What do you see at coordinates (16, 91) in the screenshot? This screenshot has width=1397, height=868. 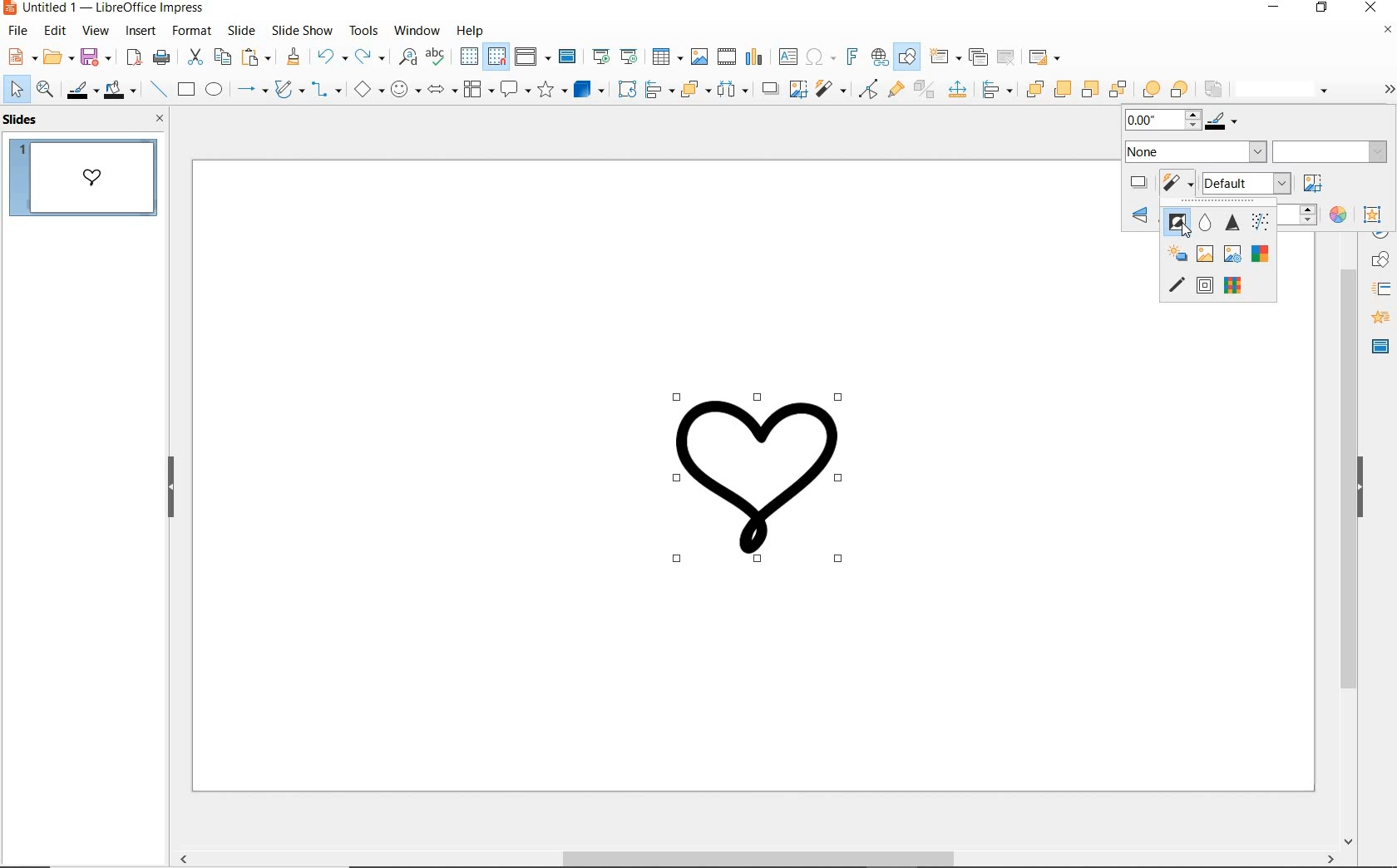 I see `select` at bounding box center [16, 91].